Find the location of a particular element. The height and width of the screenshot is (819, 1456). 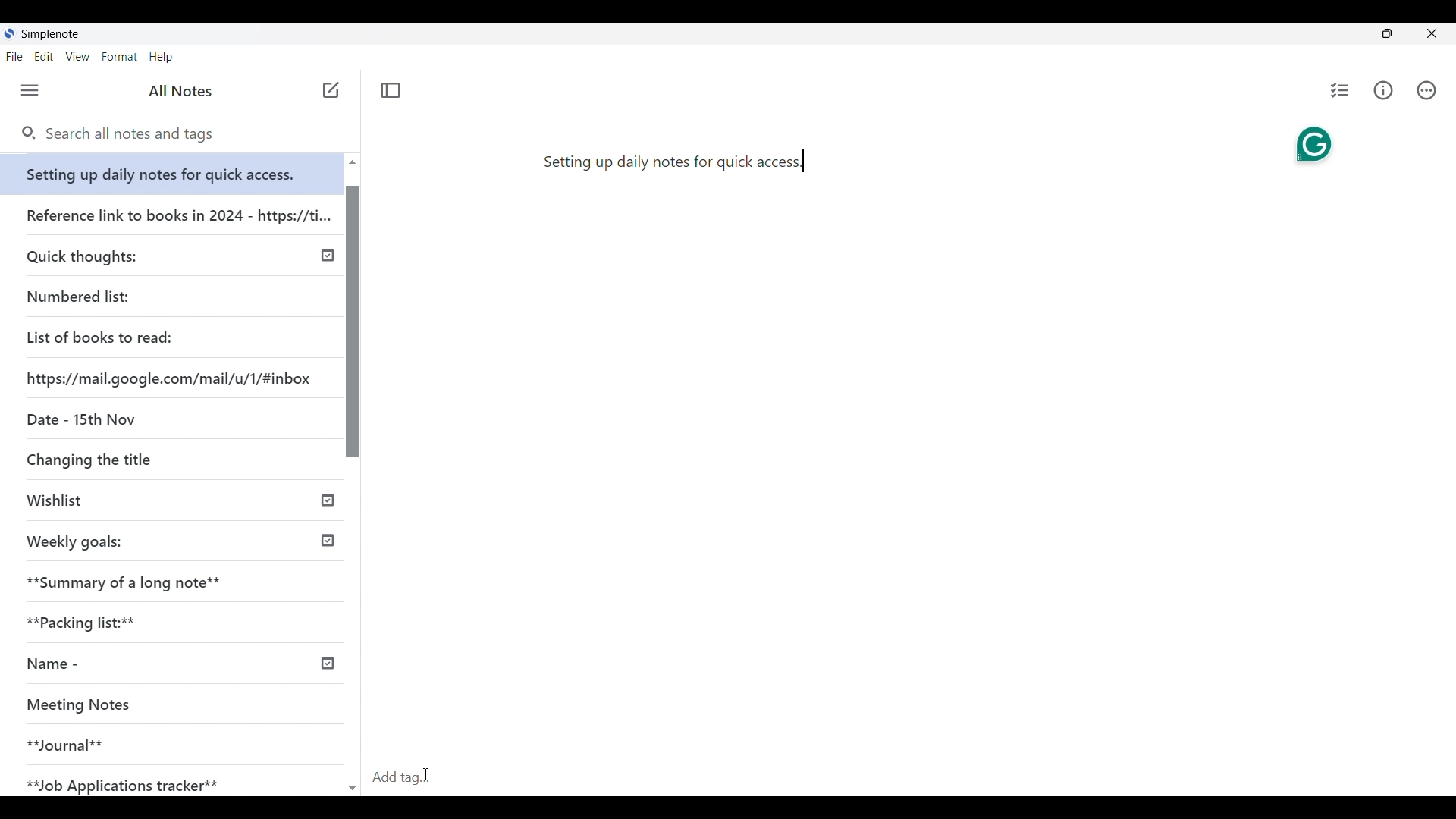

Date is located at coordinates (78, 418).